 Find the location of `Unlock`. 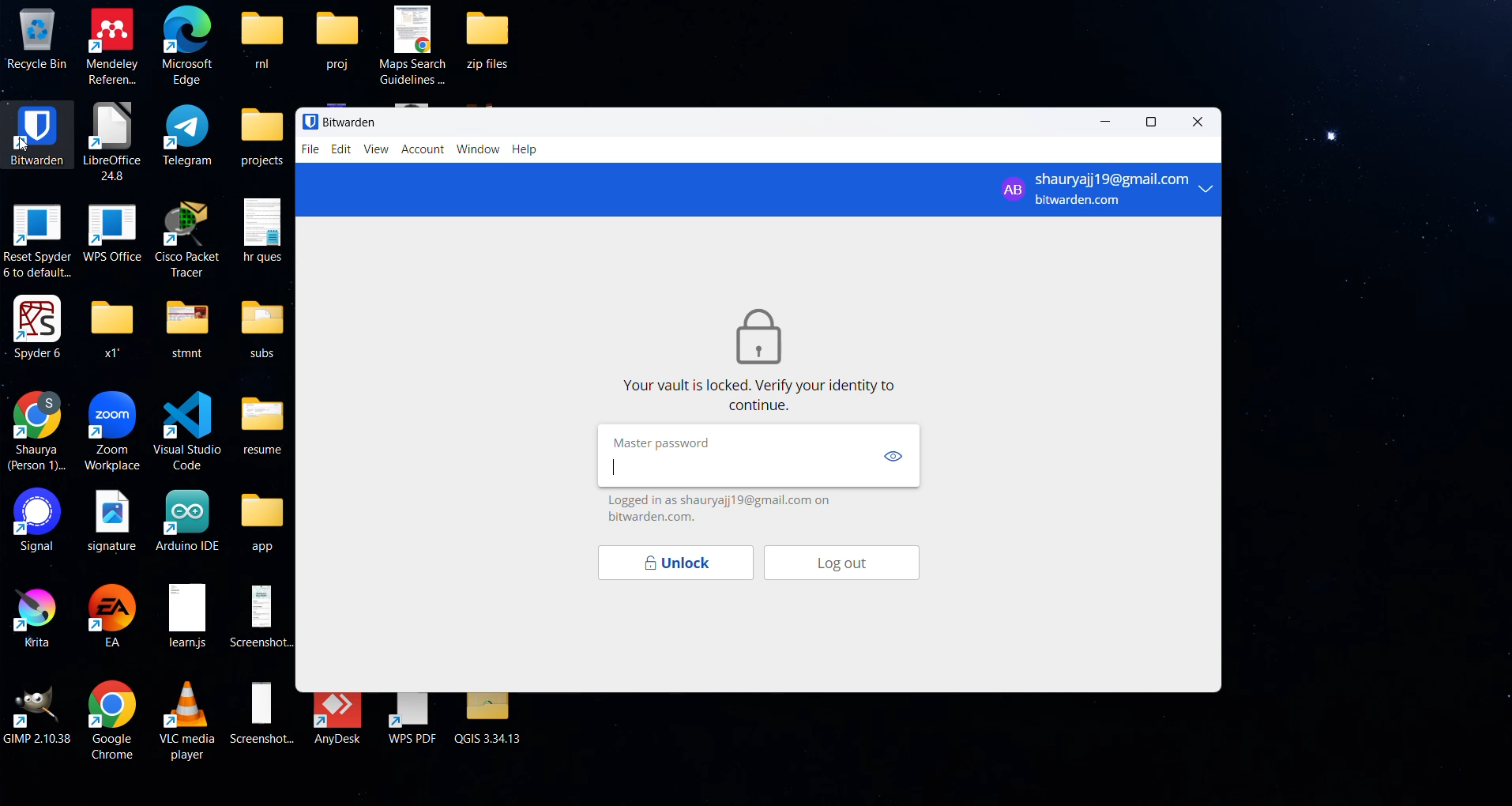

Unlock is located at coordinates (671, 564).